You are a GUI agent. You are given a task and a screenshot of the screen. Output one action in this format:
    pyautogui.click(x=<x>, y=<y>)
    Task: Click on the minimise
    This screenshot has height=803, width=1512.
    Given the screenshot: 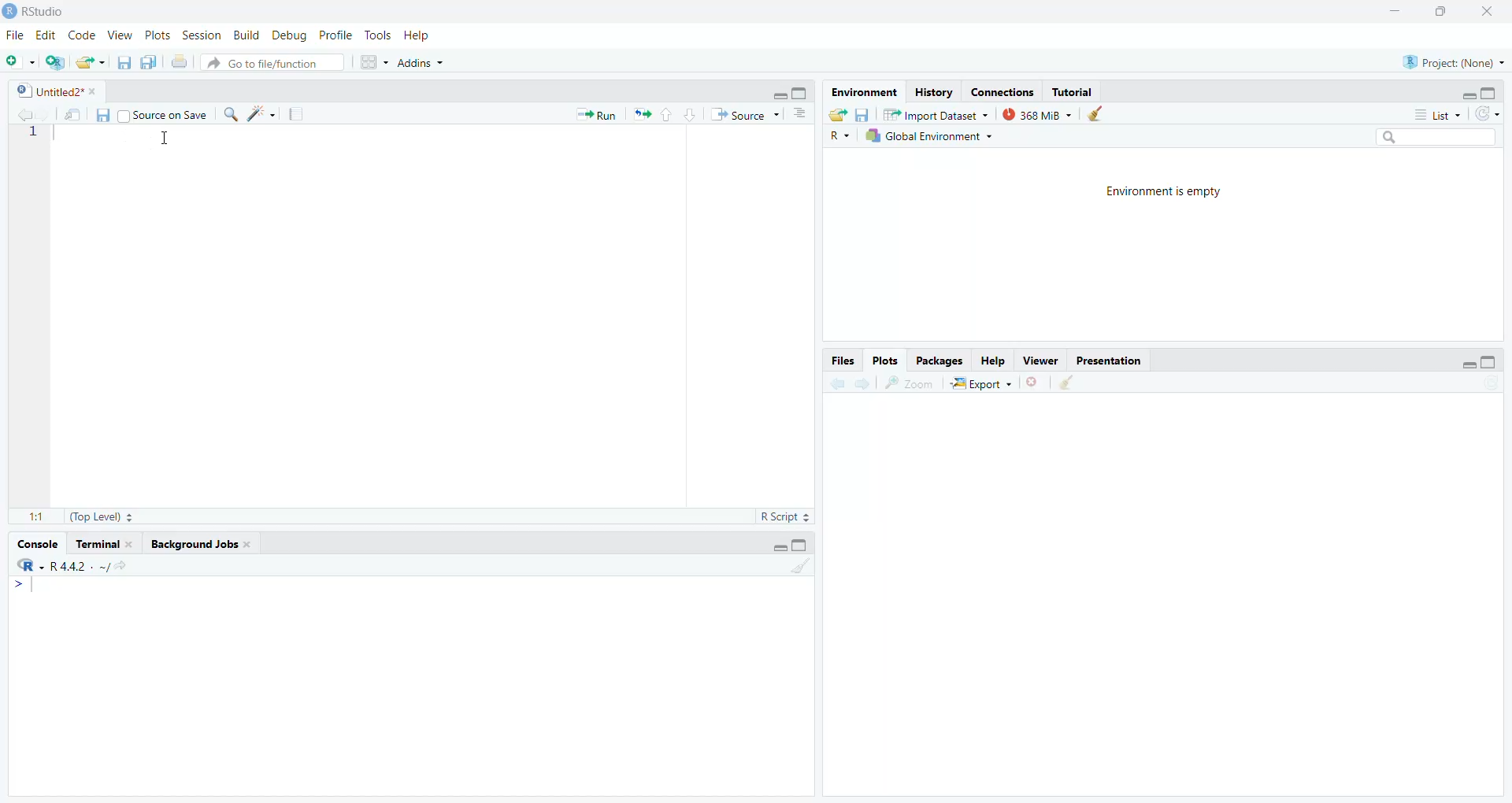 What is the action you would take?
    pyautogui.click(x=777, y=94)
    